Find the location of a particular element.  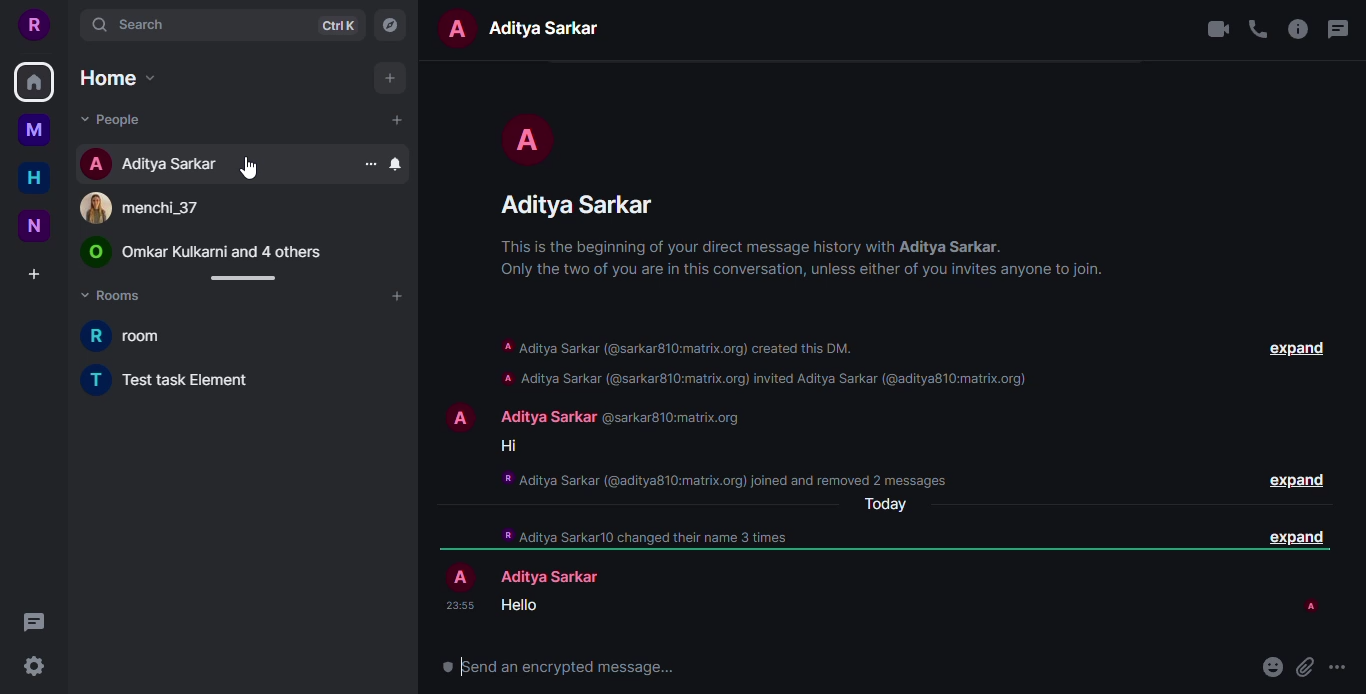

start chat is located at coordinates (396, 119).